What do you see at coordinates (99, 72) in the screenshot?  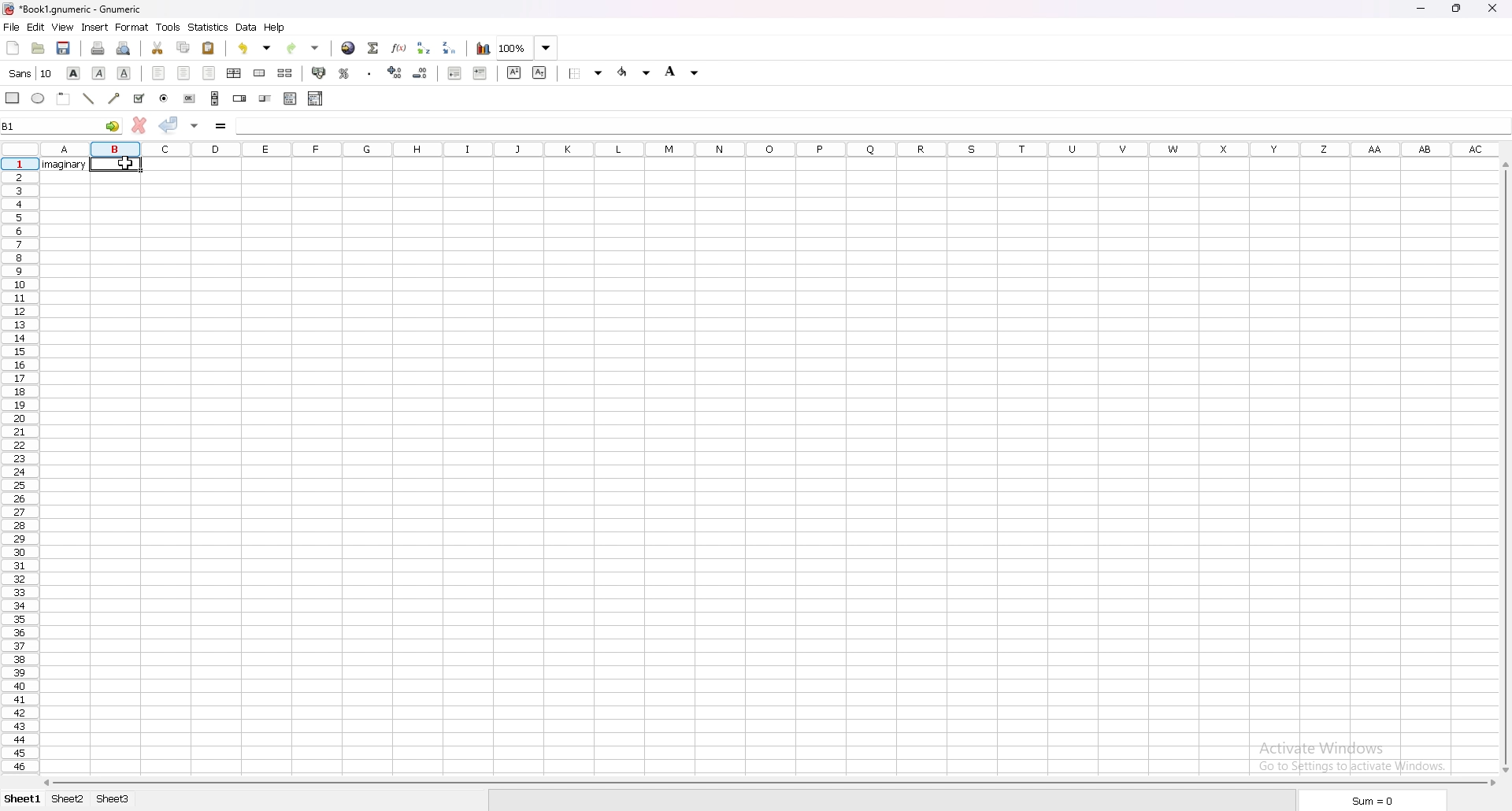 I see `italic` at bounding box center [99, 72].